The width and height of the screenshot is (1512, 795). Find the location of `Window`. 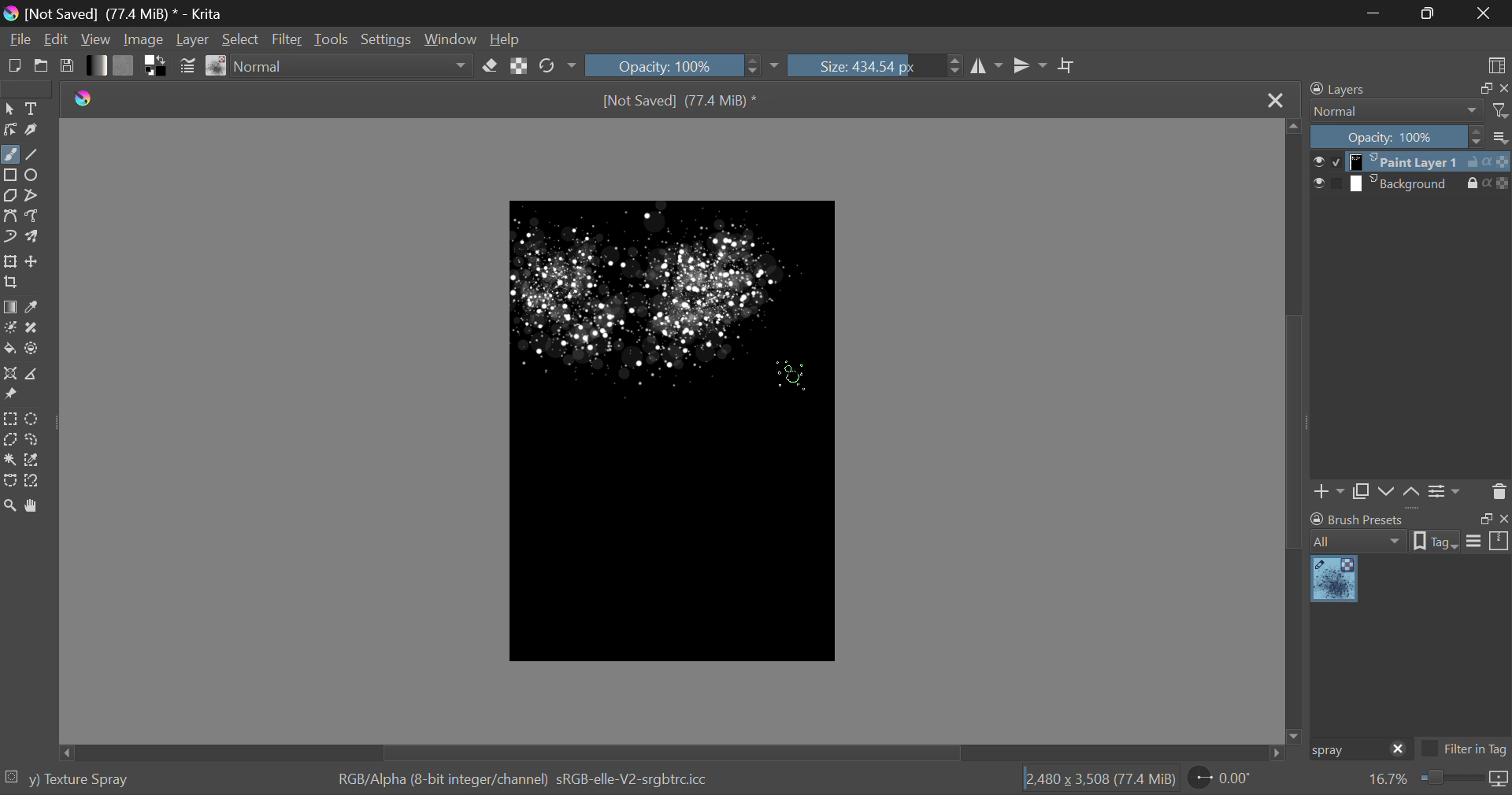

Window is located at coordinates (453, 38).